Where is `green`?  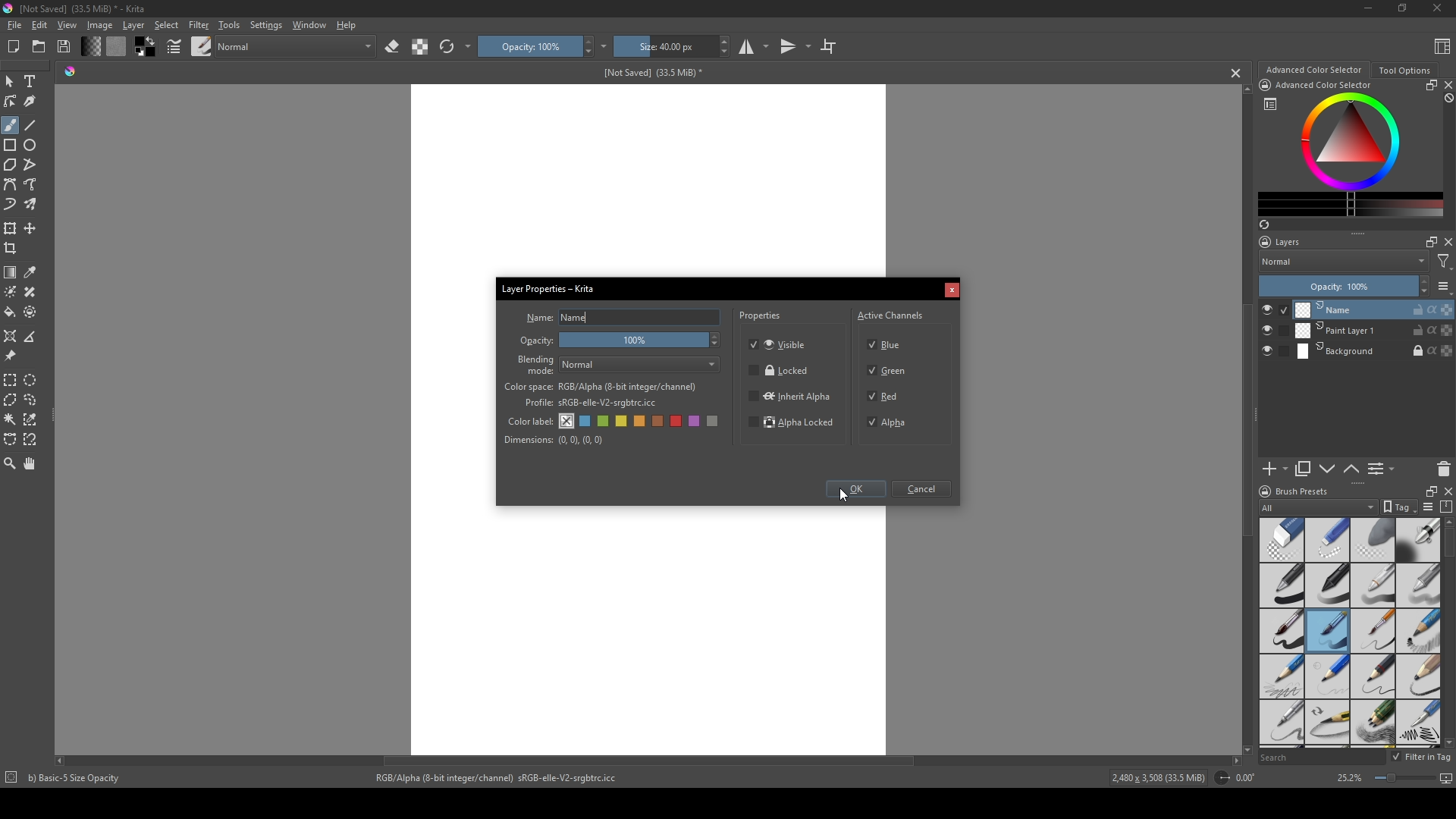 green is located at coordinates (604, 422).